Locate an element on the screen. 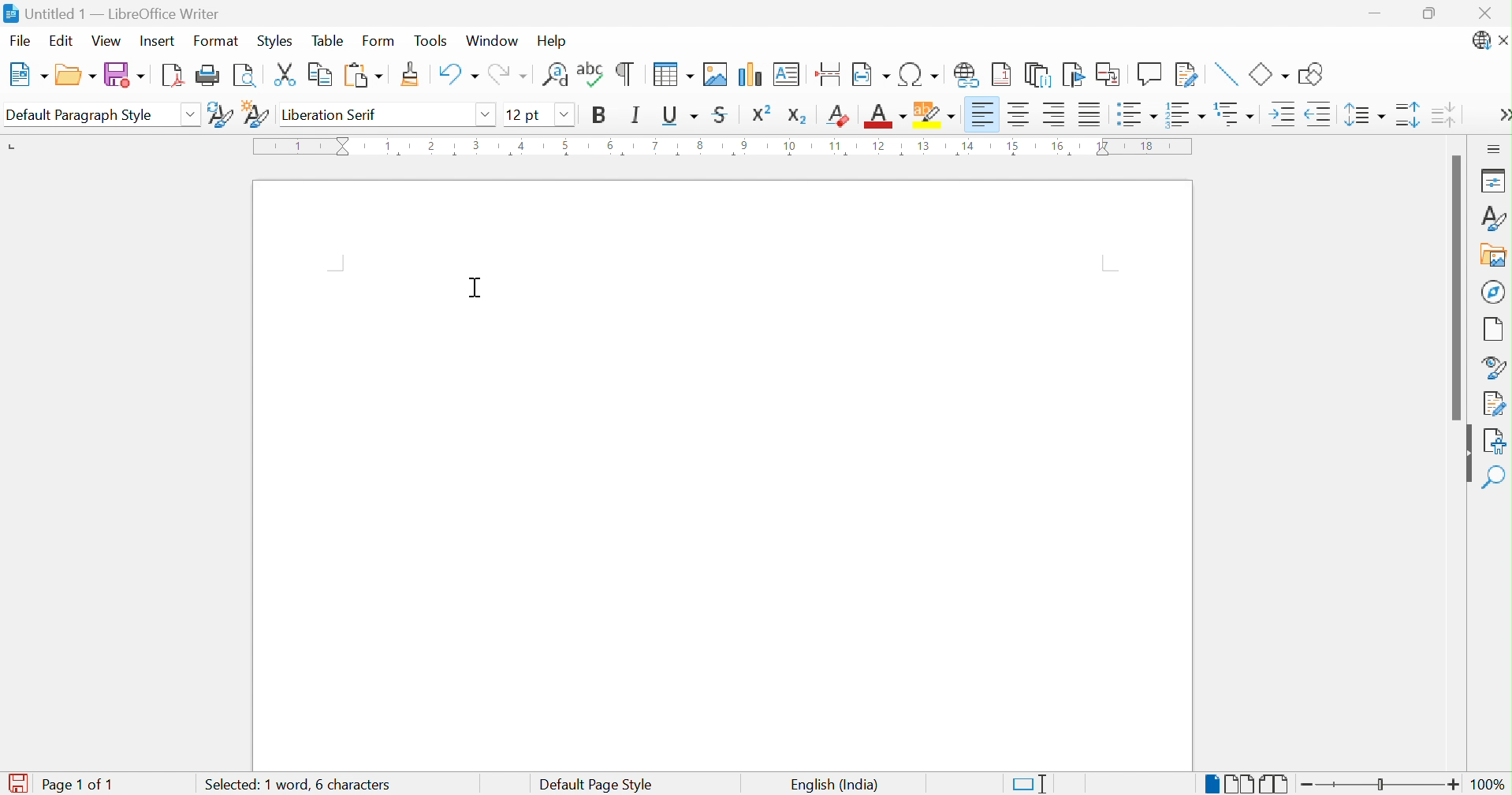 The height and width of the screenshot is (795, 1512). Cut is located at coordinates (285, 75).